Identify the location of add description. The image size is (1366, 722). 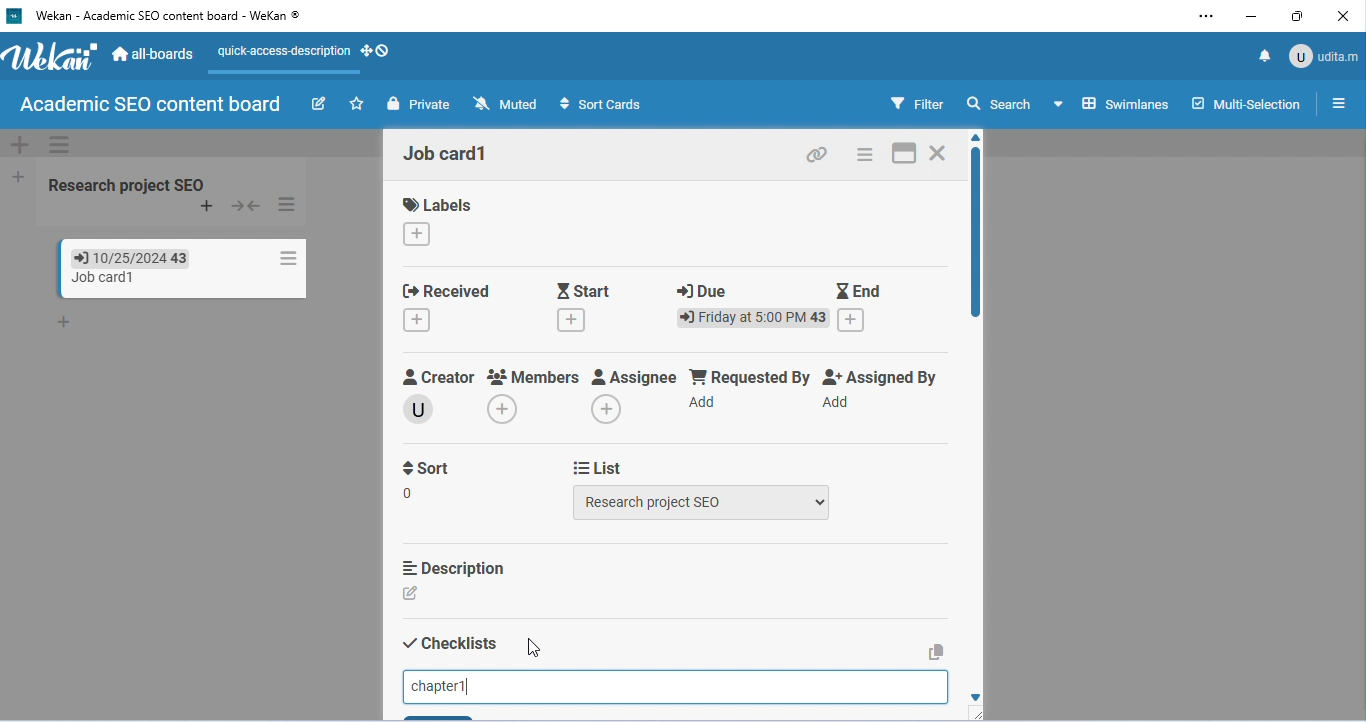
(414, 594).